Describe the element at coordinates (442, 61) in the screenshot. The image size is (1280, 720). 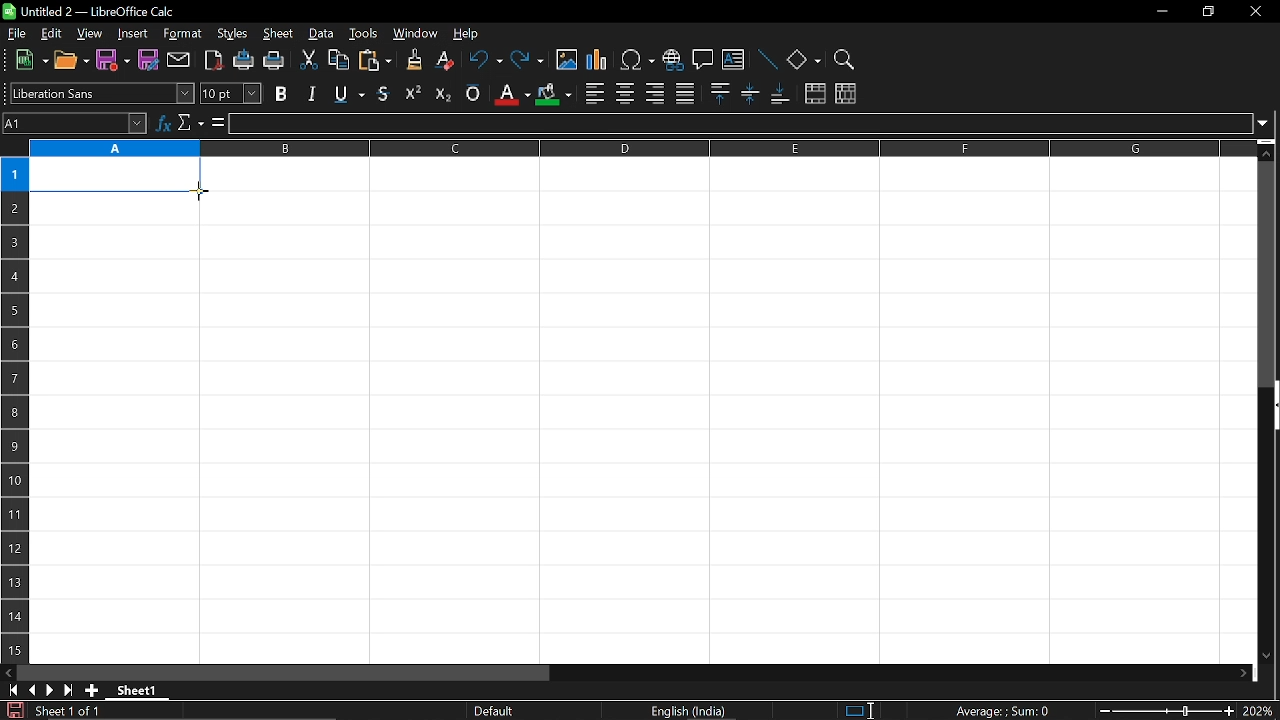
I see `eraser` at that location.